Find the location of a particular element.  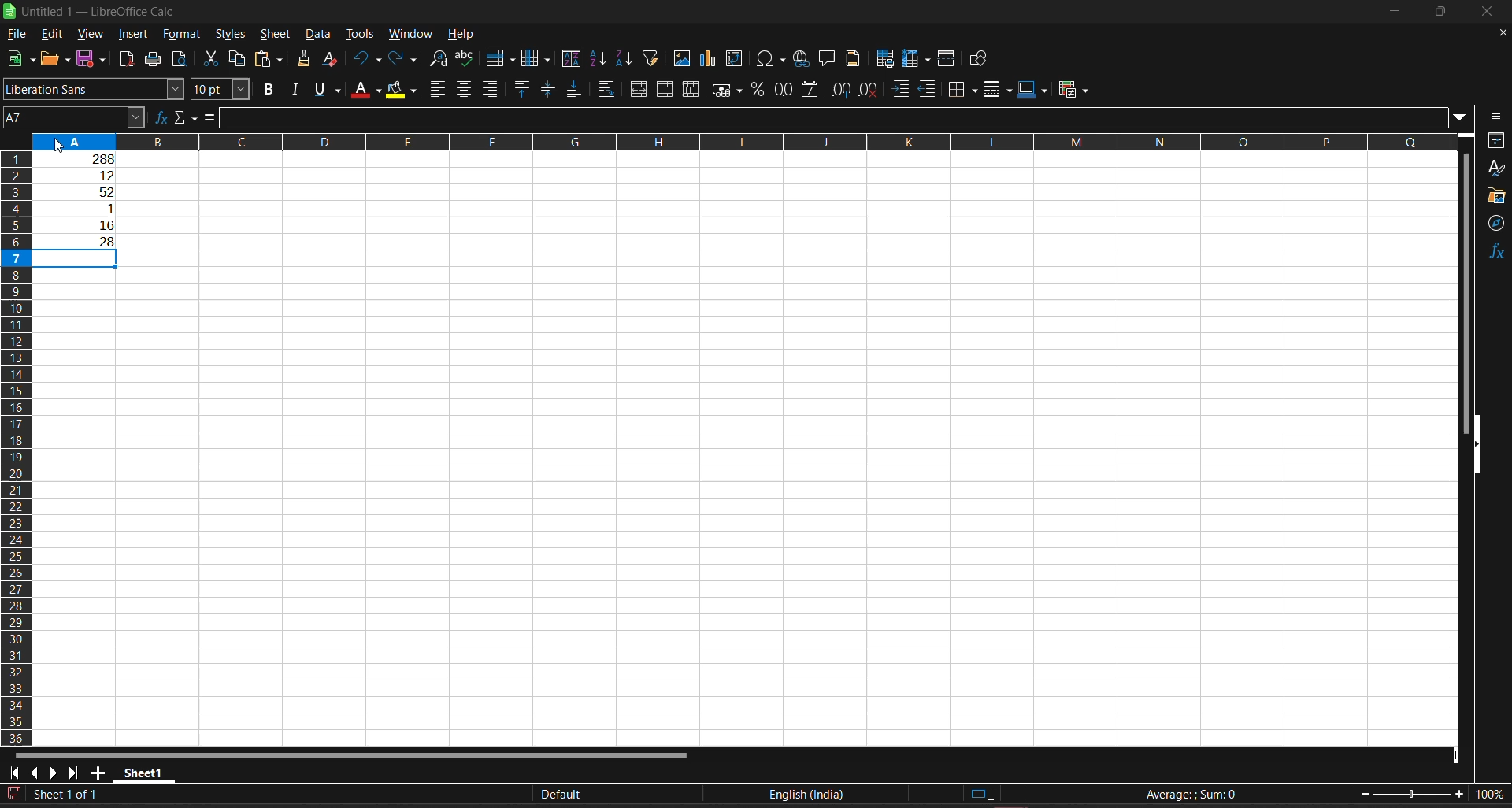

clear direct formatting is located at coordinates (335, 60).